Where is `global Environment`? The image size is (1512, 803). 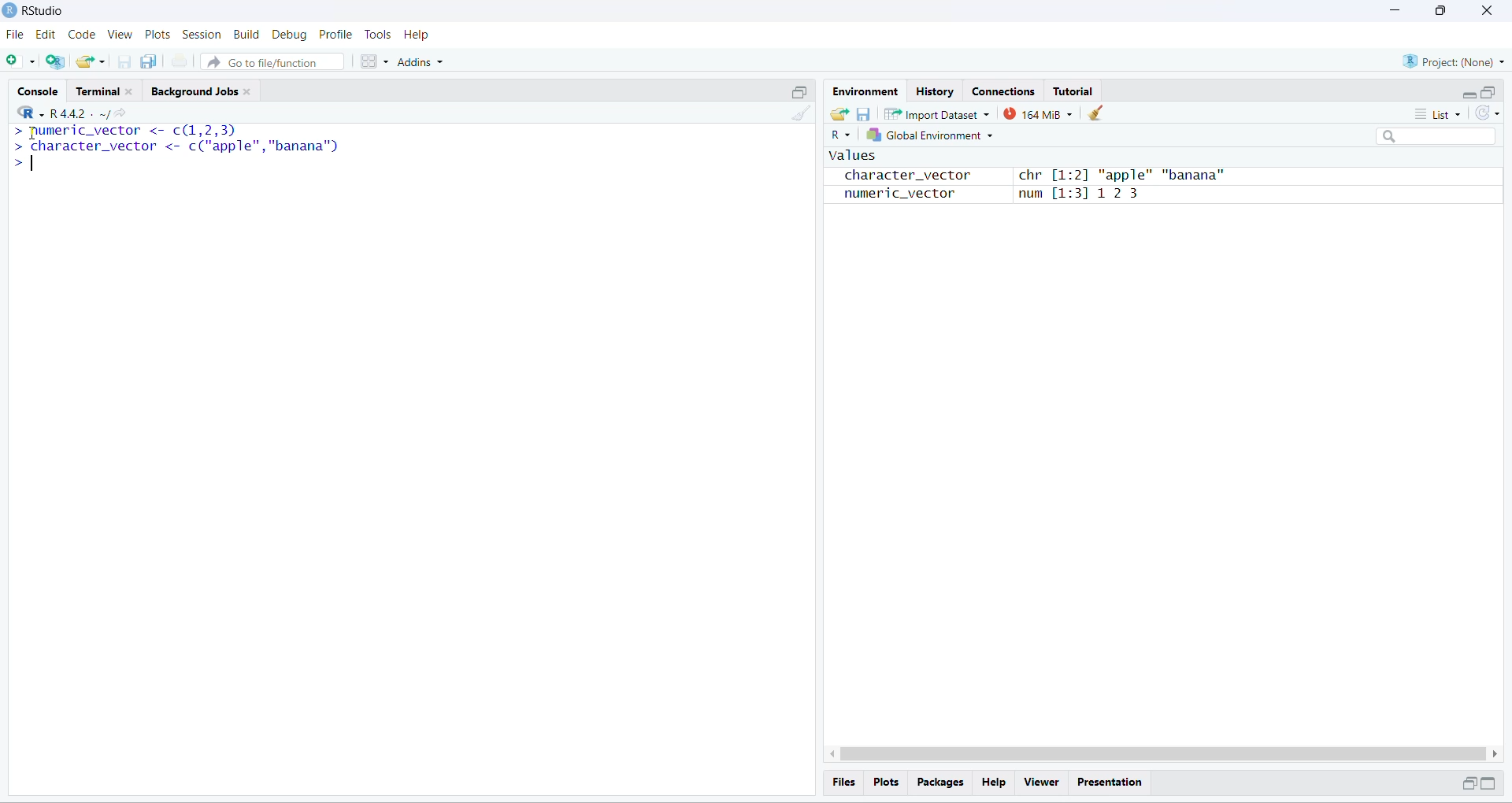 global Environment is located at coordinates (929, 135).